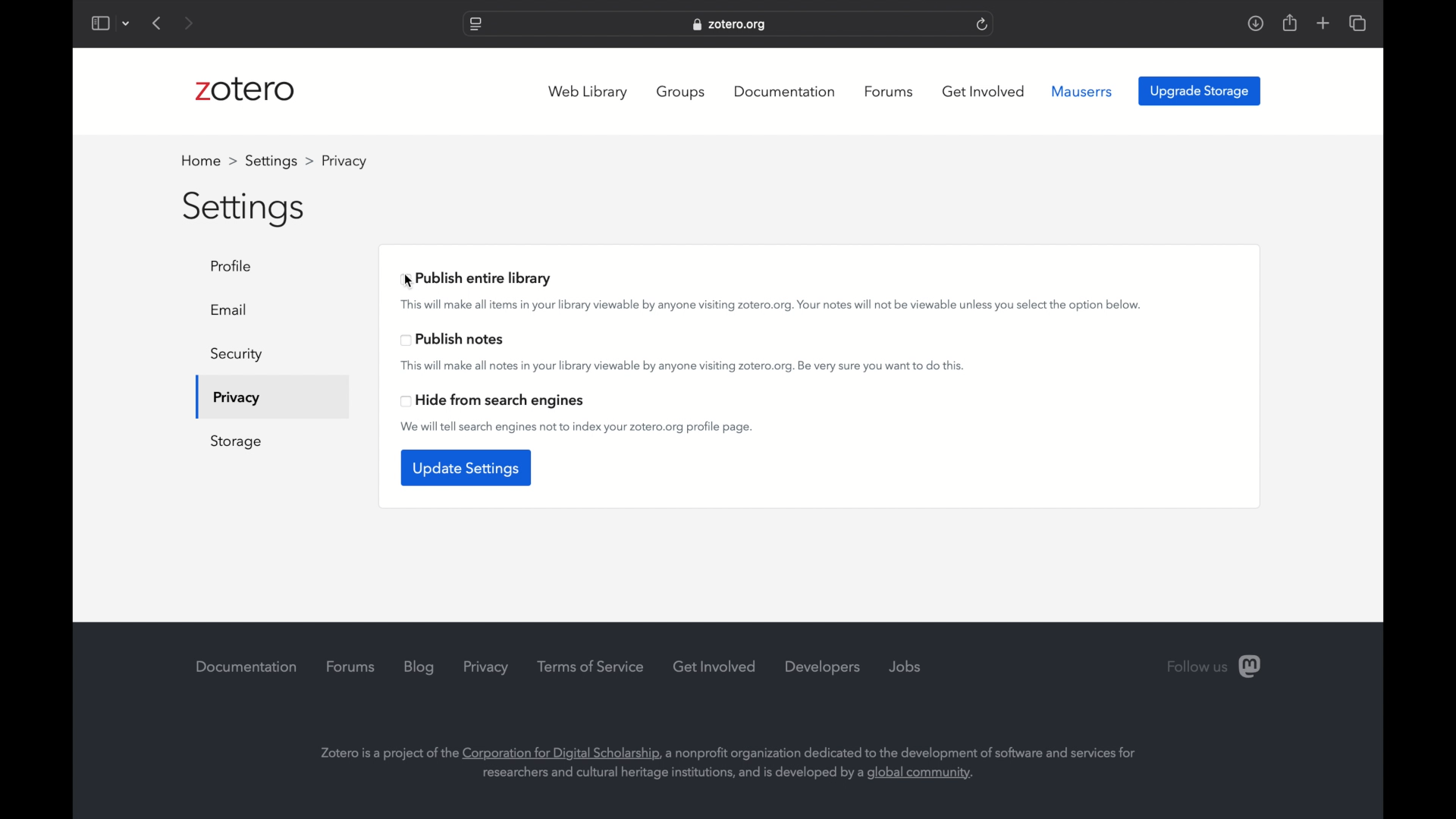  What do you see at coordinates (1359, 23) in the screenshot?
I see `show tab overview` at bounding box center [1359, 23].